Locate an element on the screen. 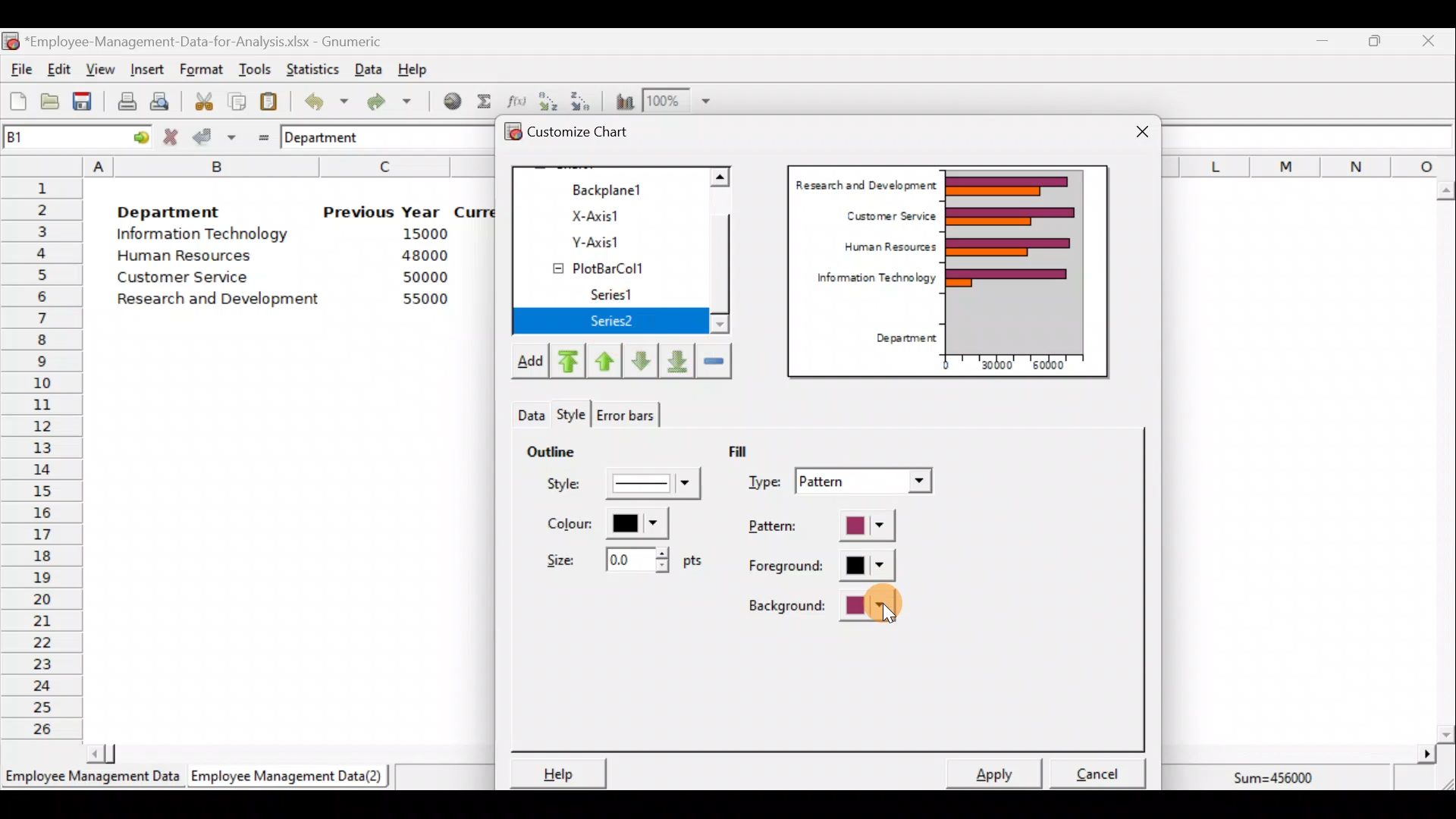  Human Resources is located at coordinates (883, 248).